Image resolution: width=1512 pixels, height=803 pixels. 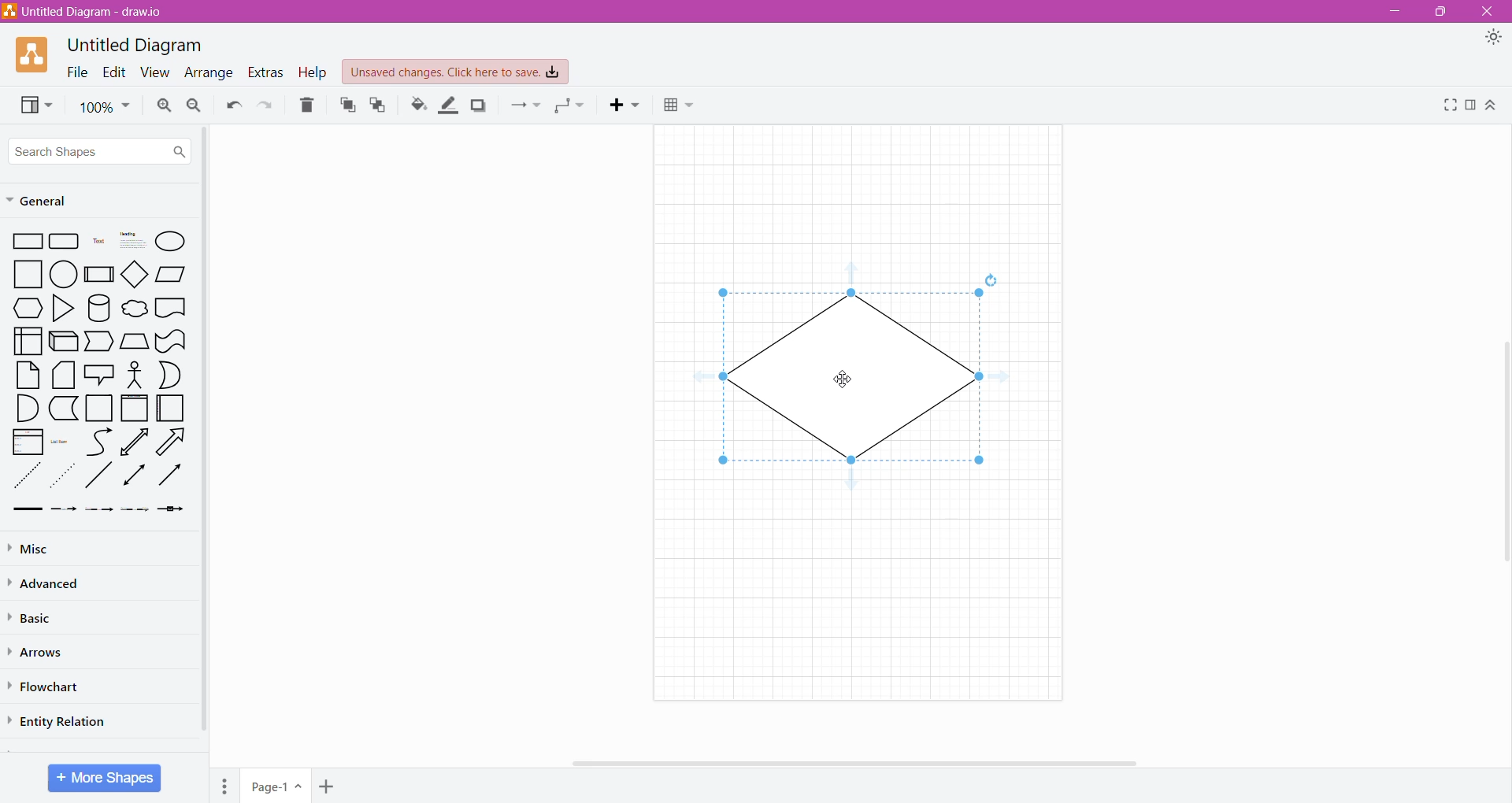 What do you see at coordinates (326, 787) in the screenshot?
I see `Insert Page` at bounding box center [326, 787].